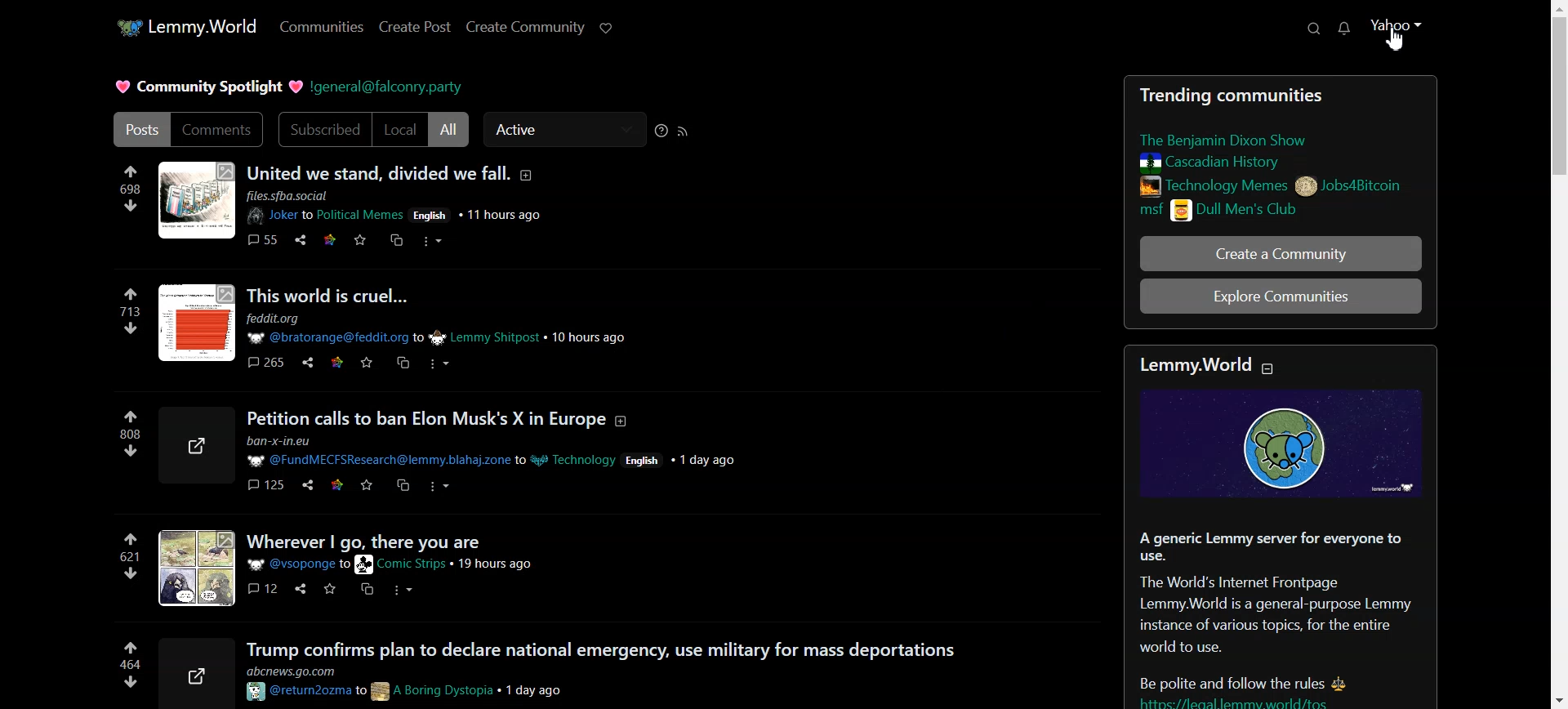 The image size is (1568, 709). Describe the element at coordinates (1279, 253) in the screenshot. I see `Create A community` at that location.